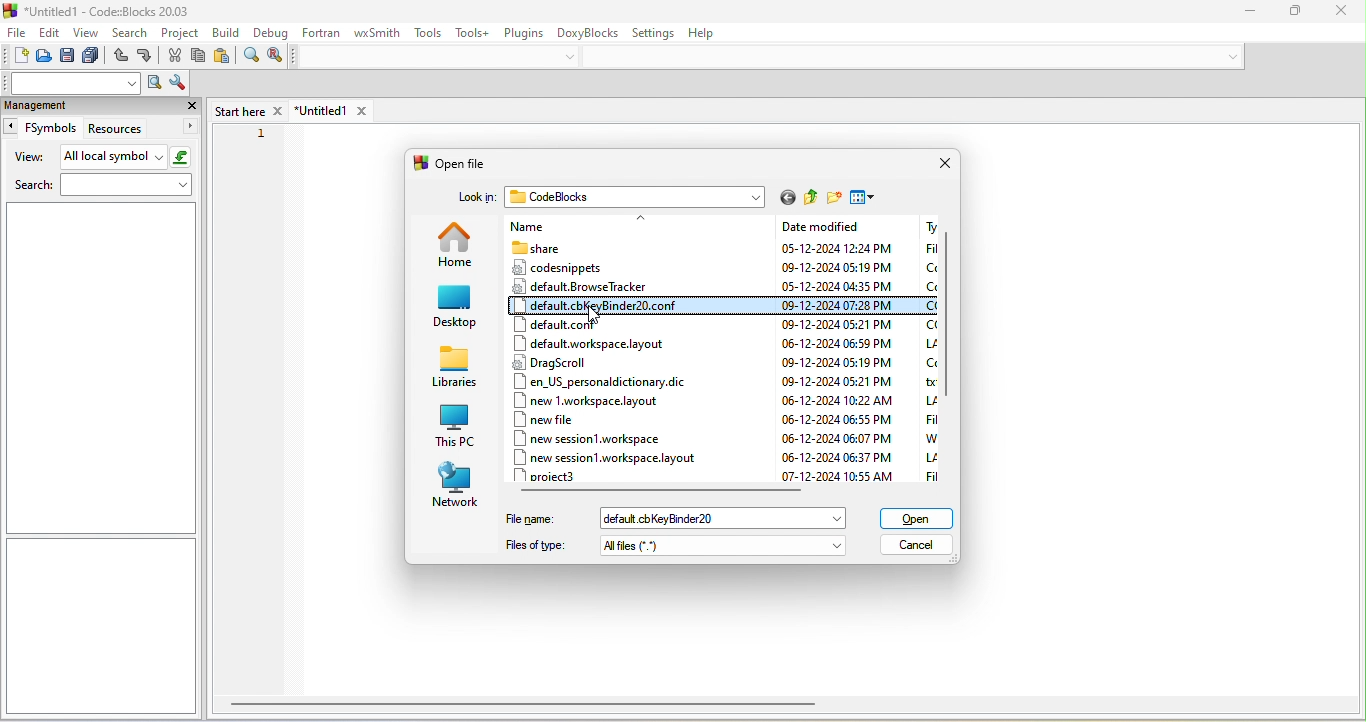 Image resolution: width=1366 pixels, height=722 pixels. Describe the element at coordinates (842, 323) in the screenshot. I see `date` at that location.